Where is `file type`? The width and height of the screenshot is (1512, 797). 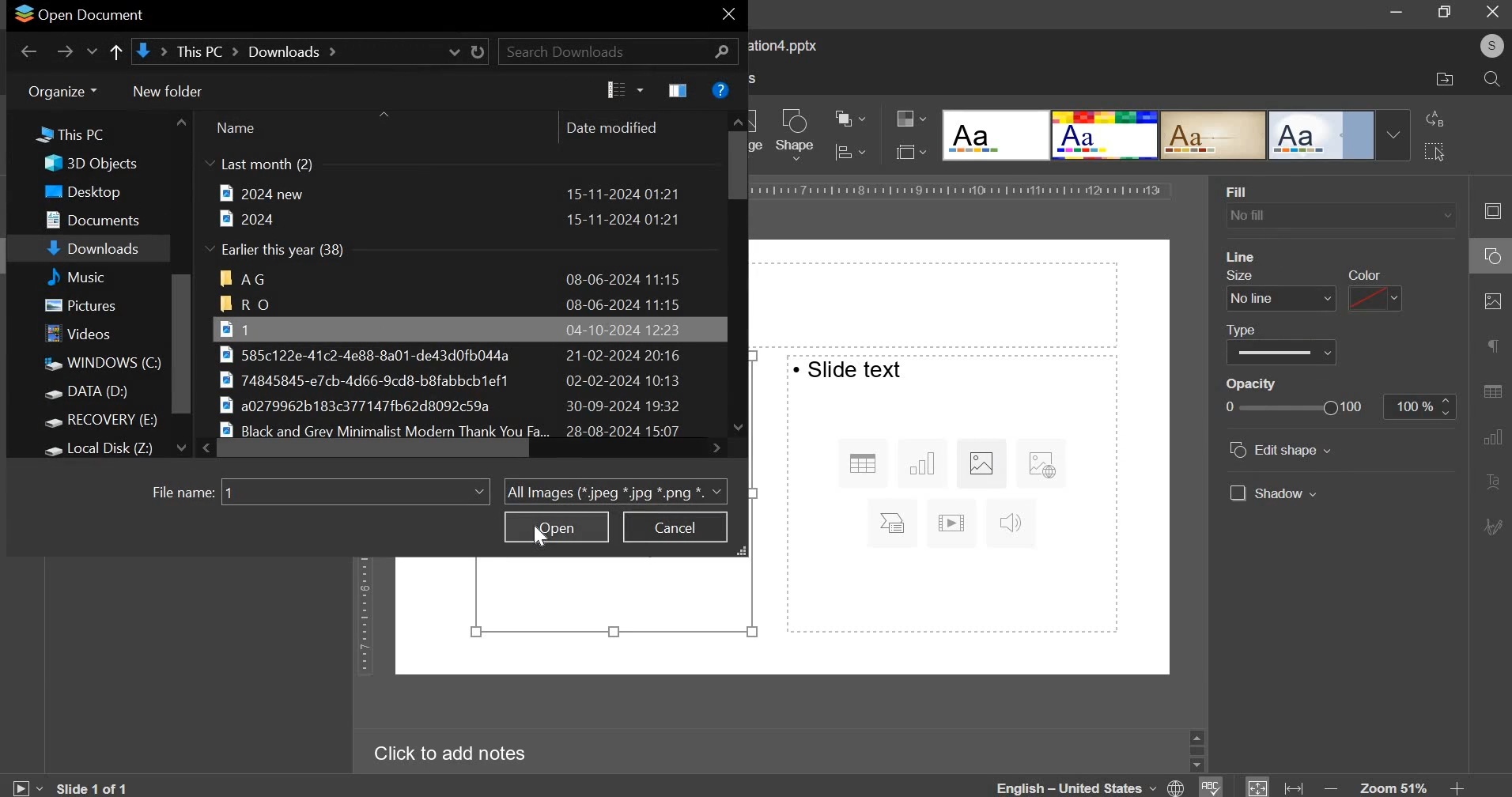 file type is located at coordinates (615, 490).